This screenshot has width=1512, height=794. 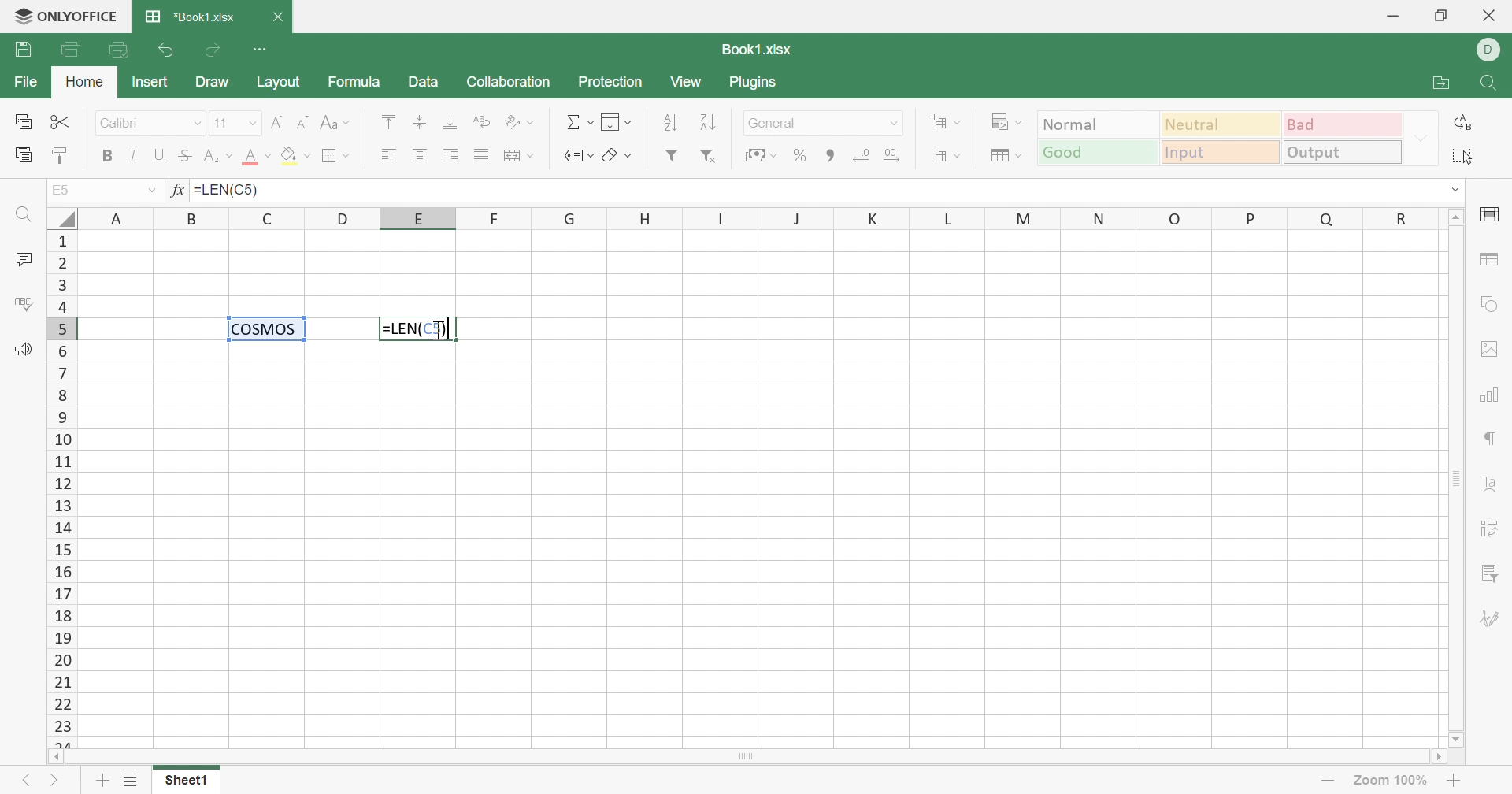 What do you see at coordinates (20, 302) in the screenshot?
I see `Check spelling` at bounding box center [20, 302].